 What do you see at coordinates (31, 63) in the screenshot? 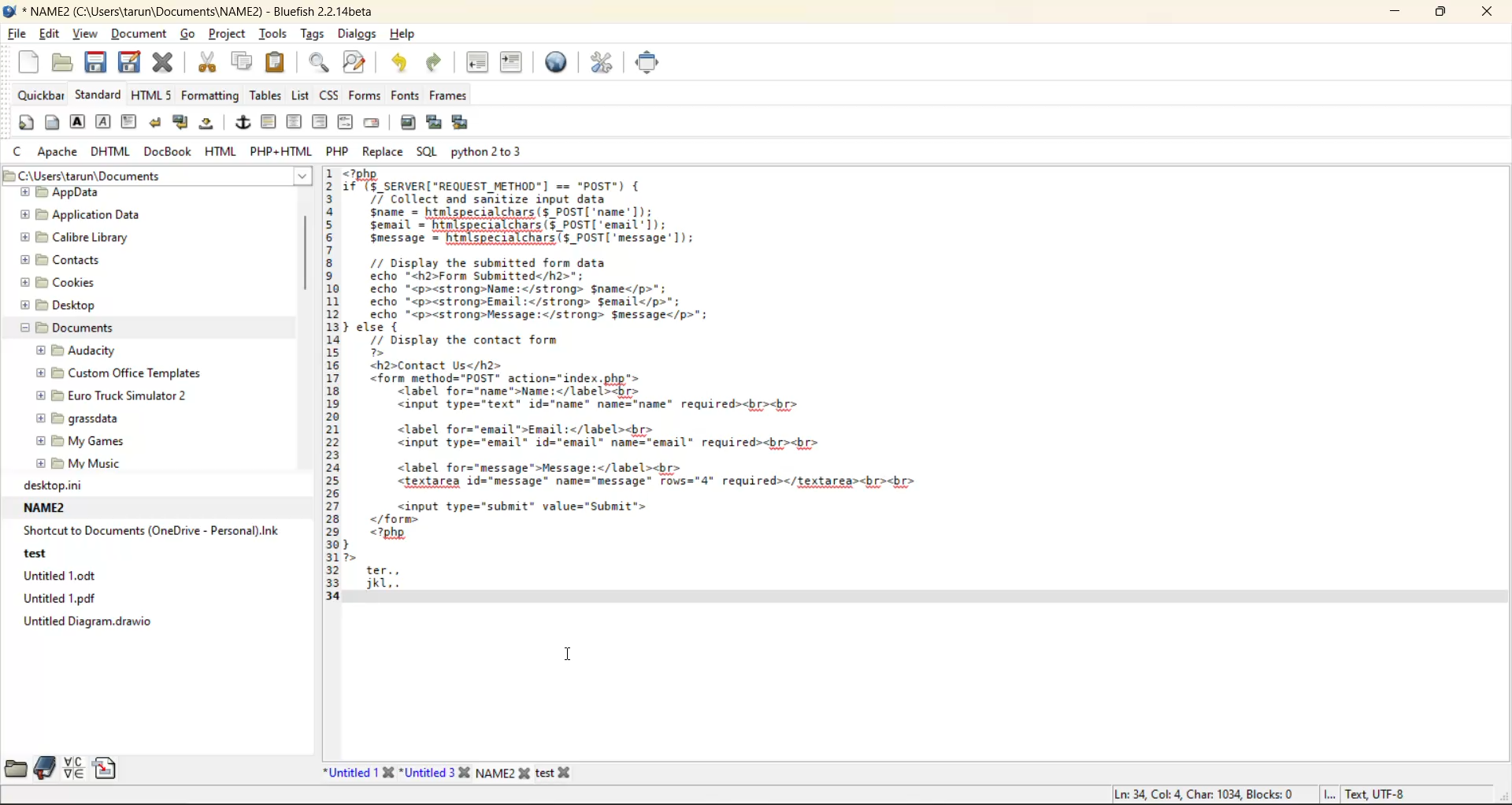
I see `new` at bounding box center [31, 63].